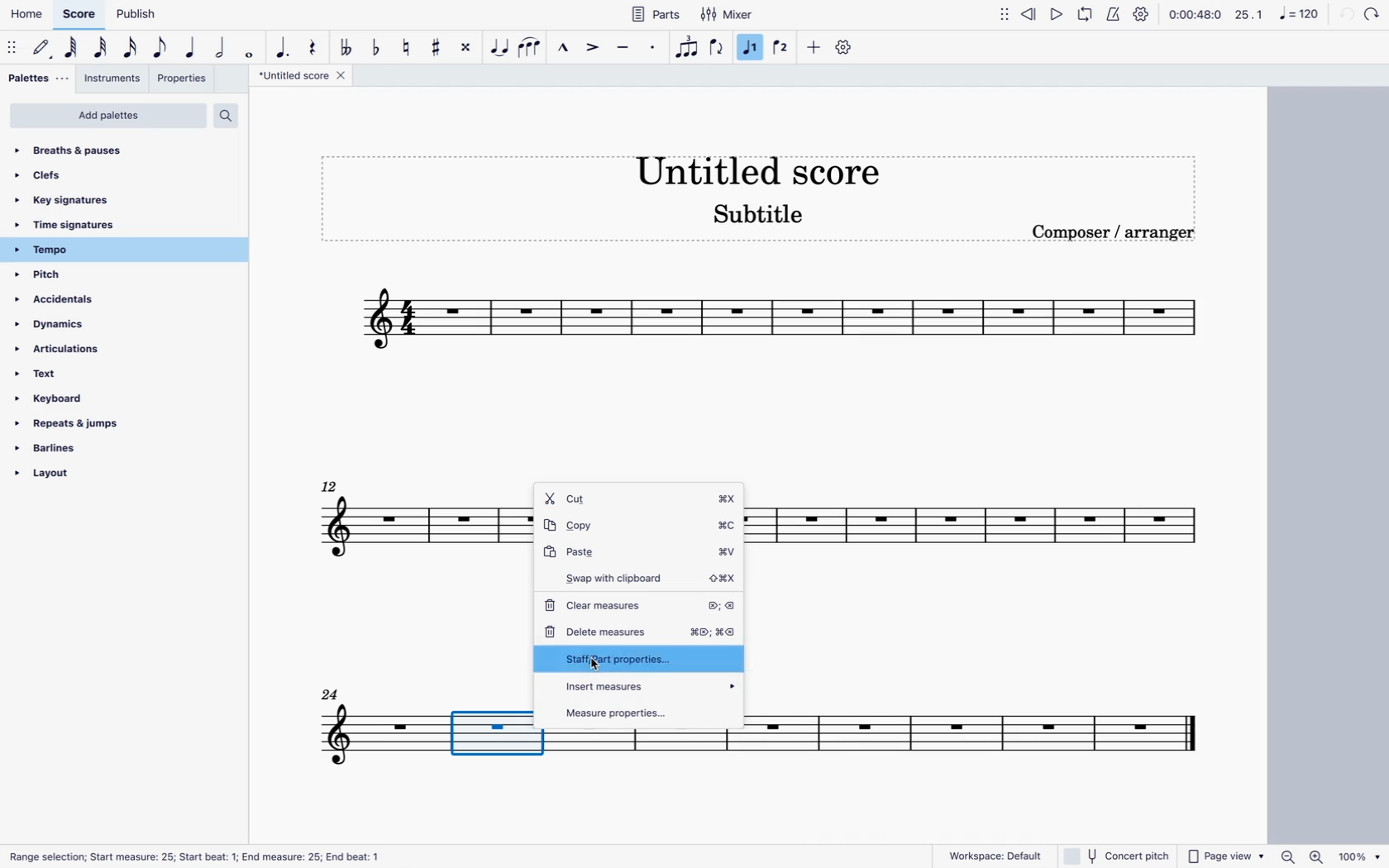 This screenshot has width=1389, height=868. What do you see at coordinates (1287, 856) in the screenshot?
I see `Zoom out` at bounding box center [1287, 856].